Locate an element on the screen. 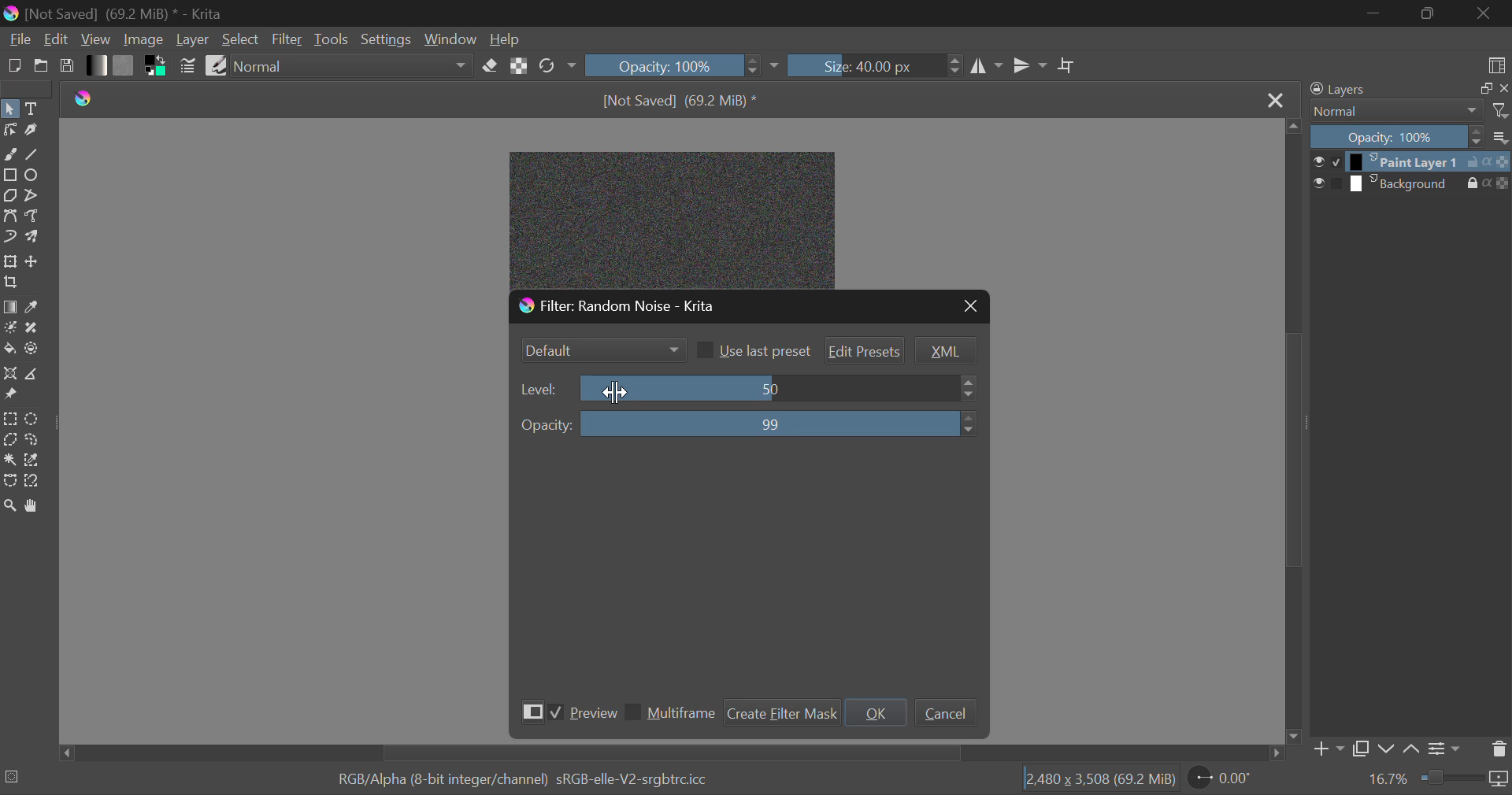 This screenshot has height=795, width=1512. Preview is located at coordinates (565, 711).